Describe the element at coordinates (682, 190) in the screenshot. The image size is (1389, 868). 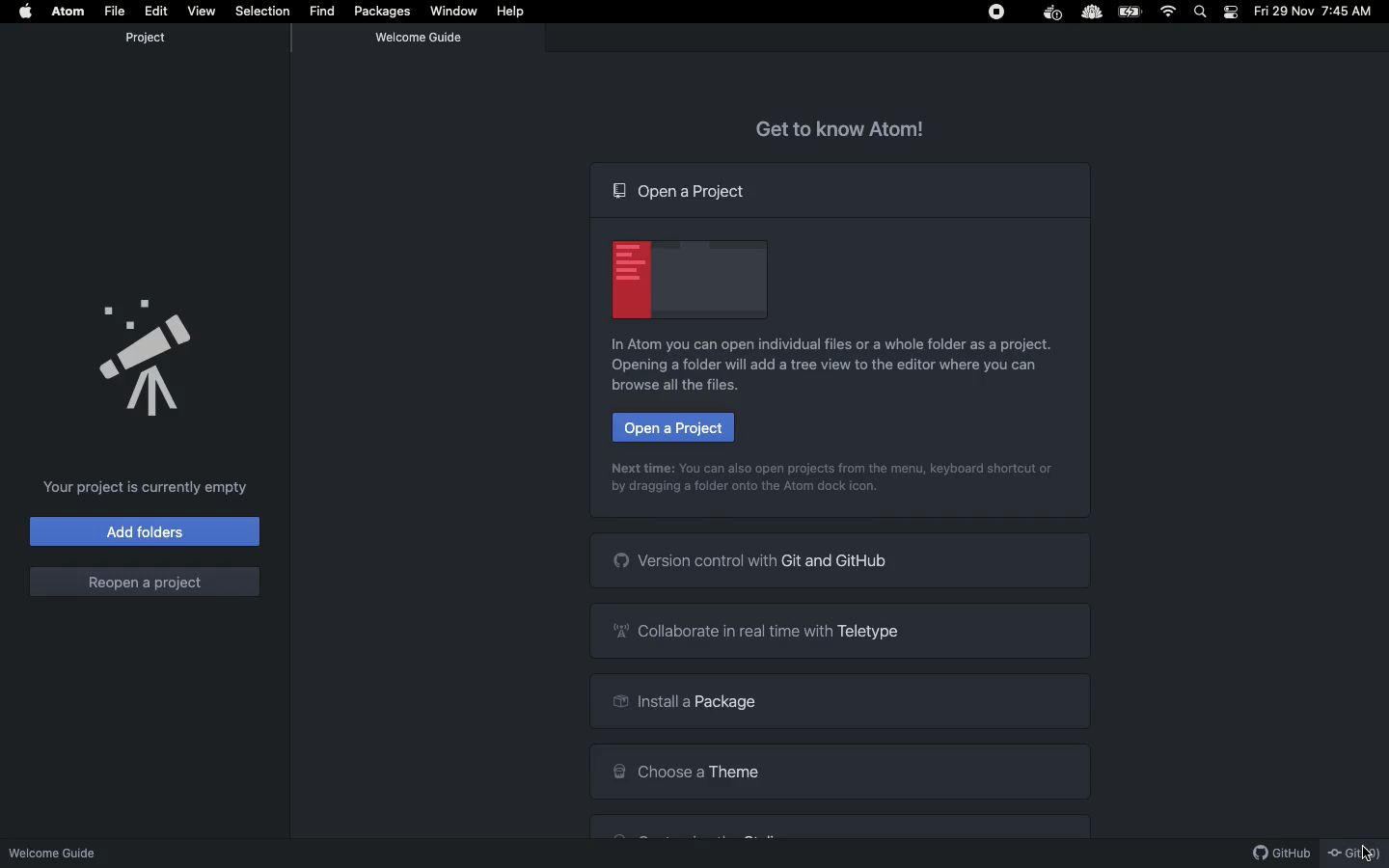
I see `Open a project` at that location.